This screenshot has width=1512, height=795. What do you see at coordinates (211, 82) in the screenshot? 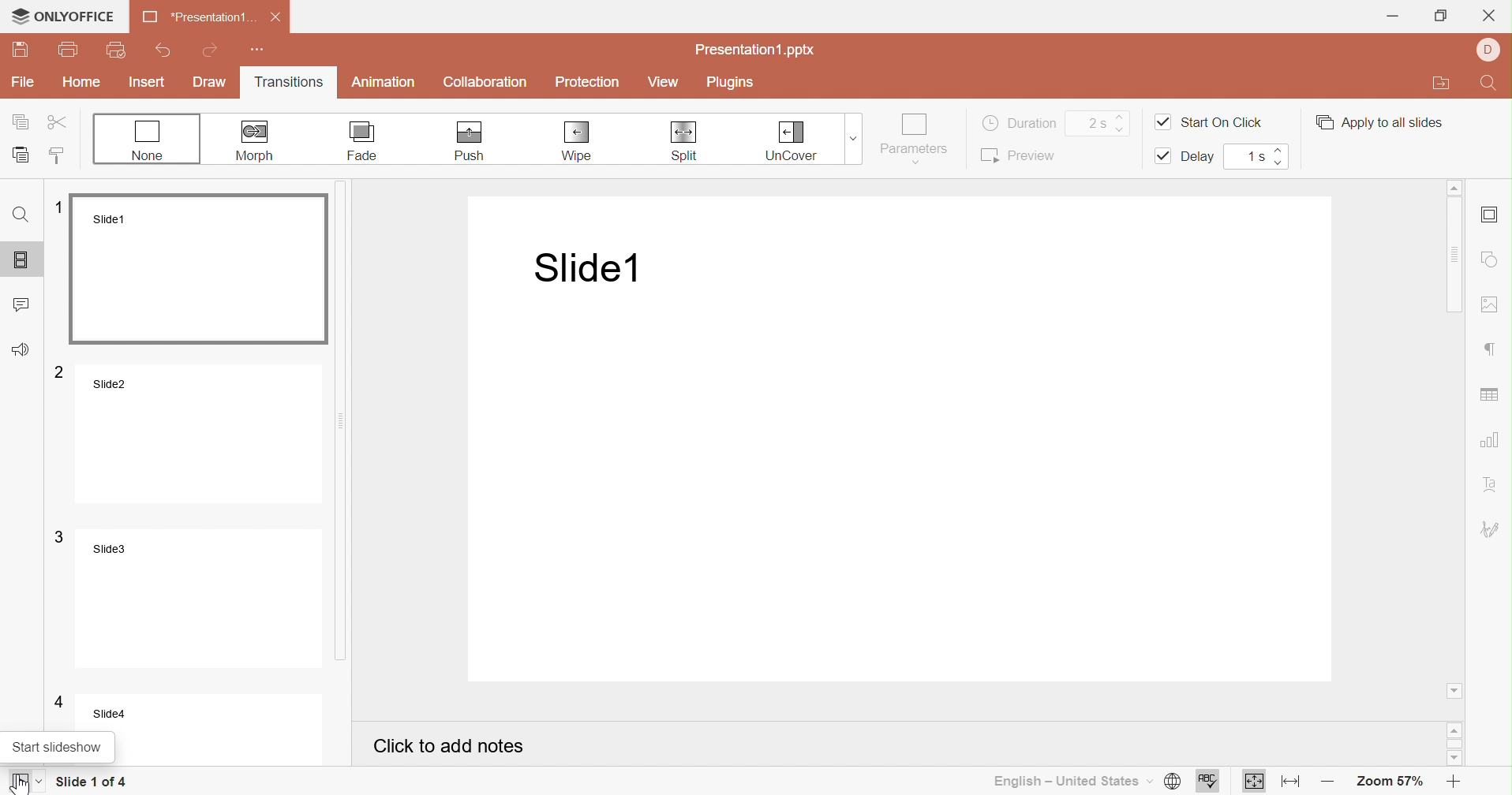
I see `Draw` at bounding box center [211, 82].